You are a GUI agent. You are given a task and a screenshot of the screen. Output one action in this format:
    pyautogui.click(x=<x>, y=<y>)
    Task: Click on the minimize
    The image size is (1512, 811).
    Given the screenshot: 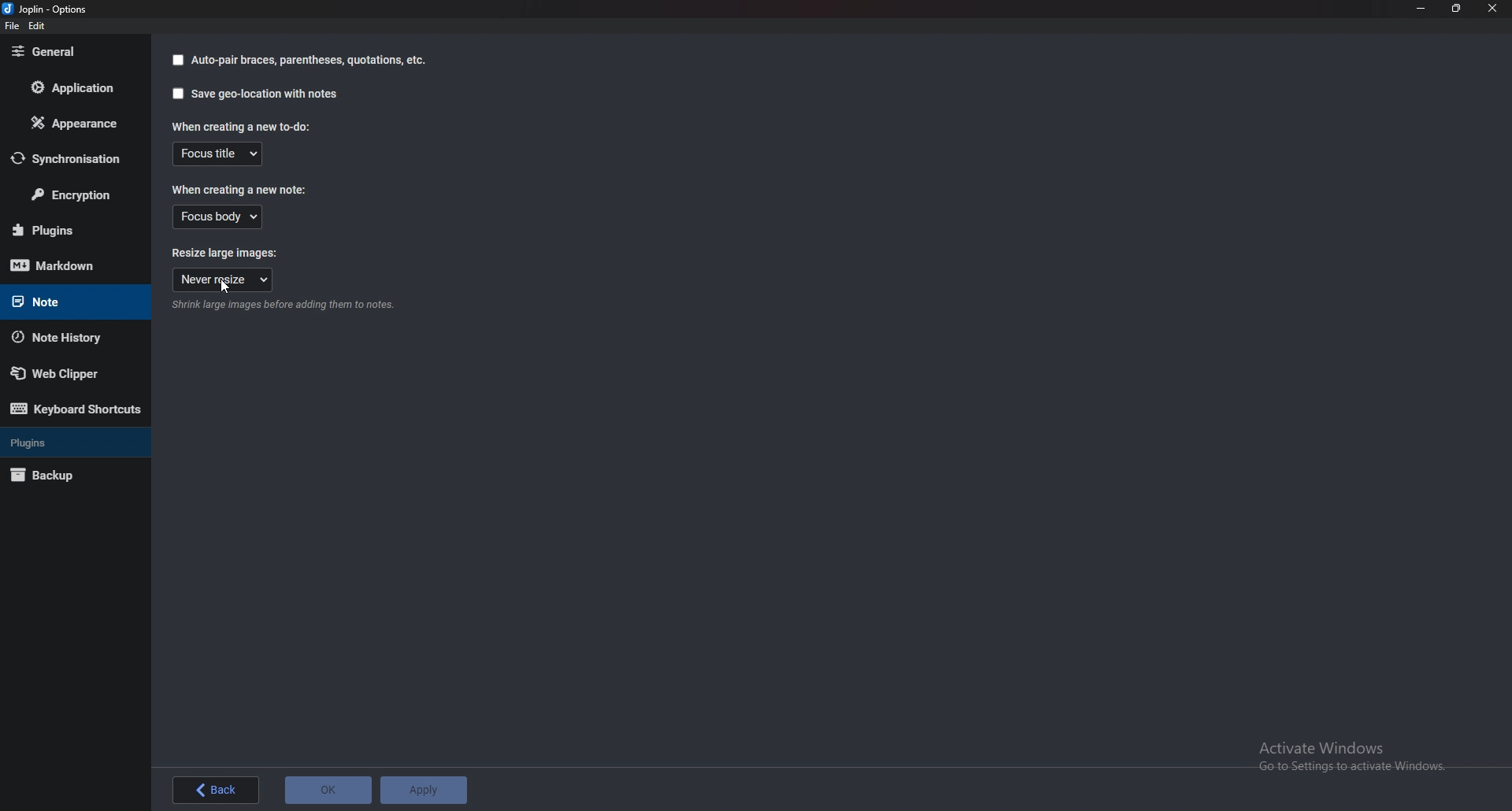 What is the action you would take?
    pyautogui.click(x=1422, y=8)
    